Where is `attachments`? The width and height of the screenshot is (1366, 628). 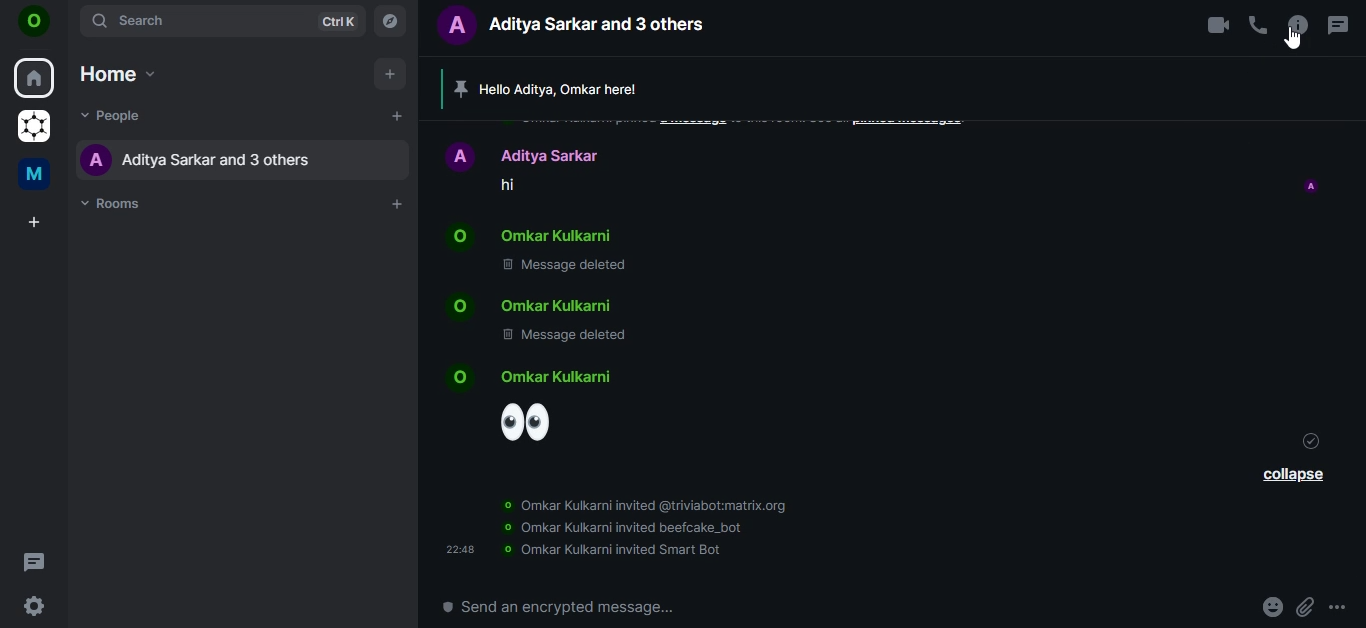
attachments is located at coordinates (1308, 606).